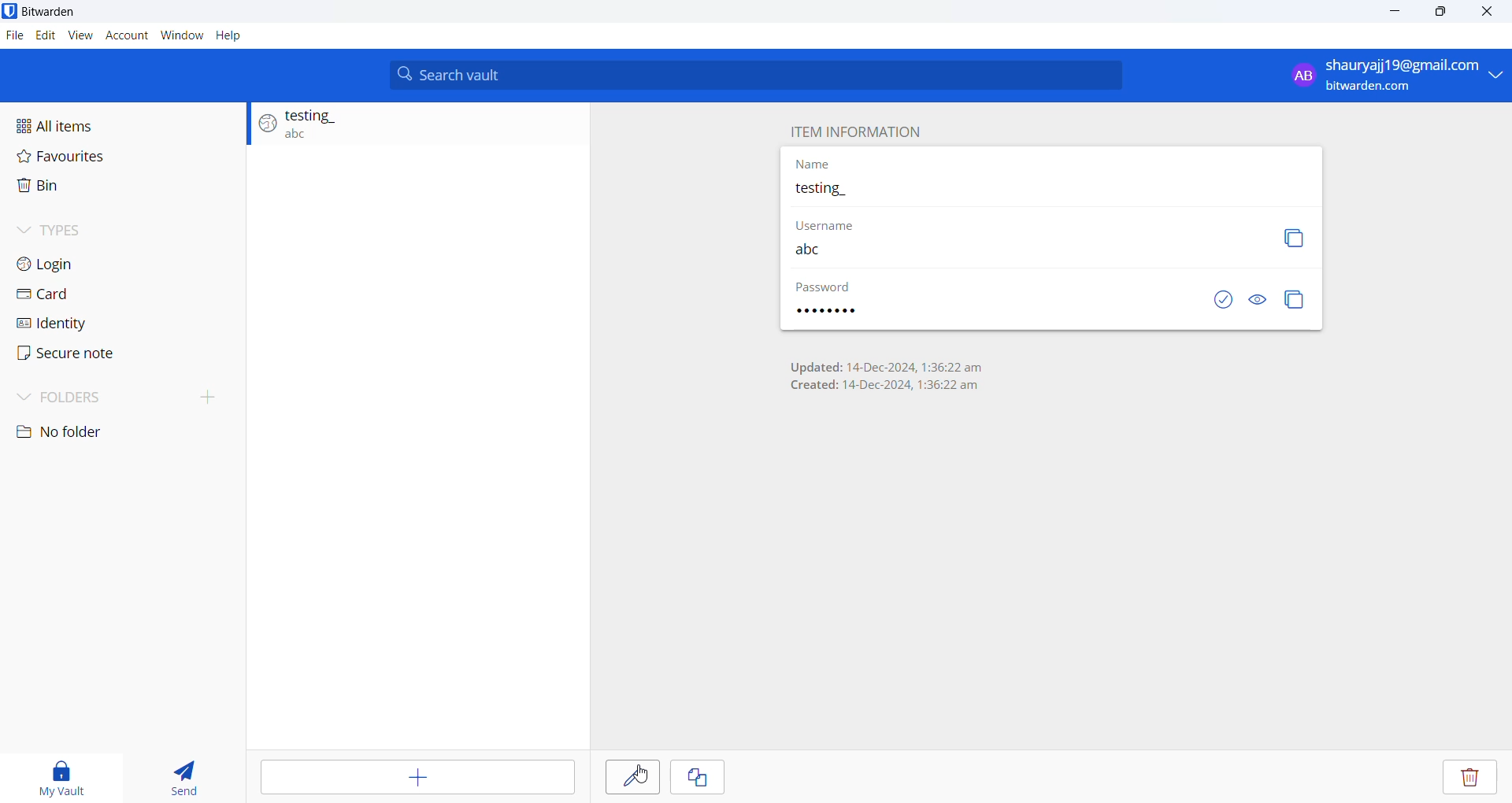  I want to click on Password hidden, so click(825, 288).